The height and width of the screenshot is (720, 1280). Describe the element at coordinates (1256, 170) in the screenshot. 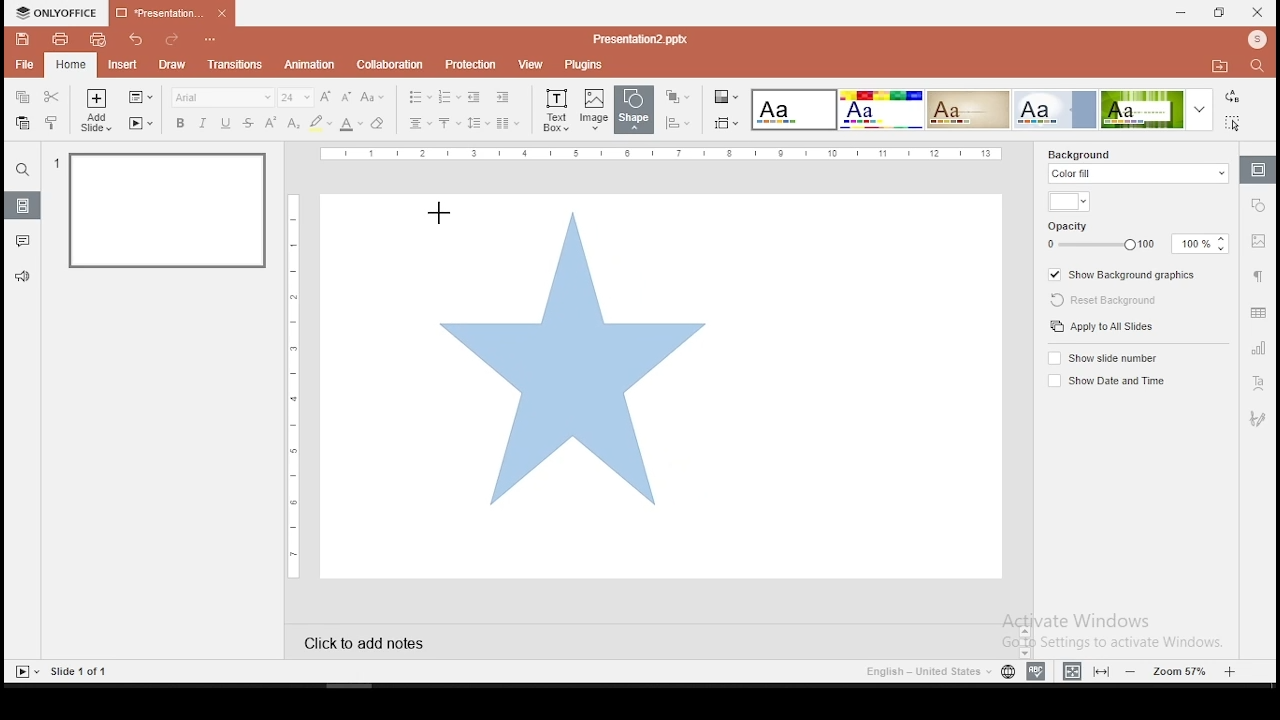

I see `slide settings` at that location.